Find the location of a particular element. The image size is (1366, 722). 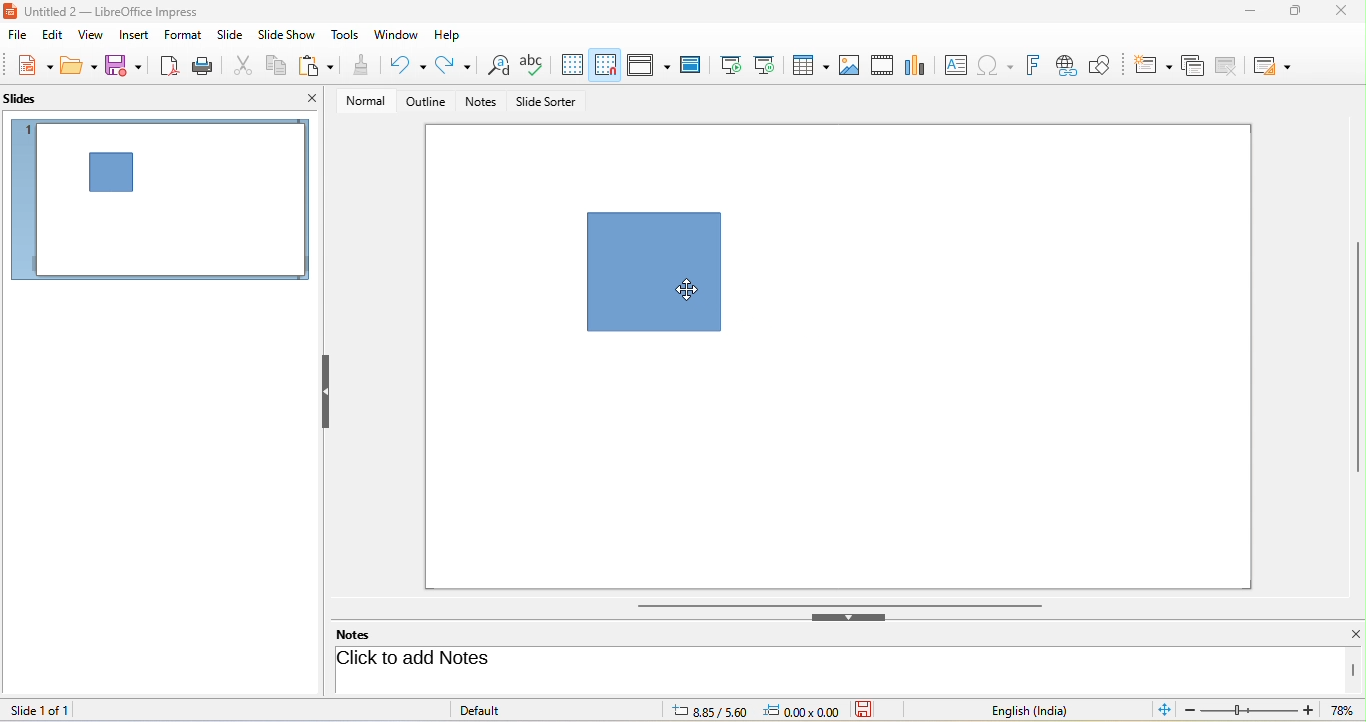

click to add notes is located at coordinates (492, 660).